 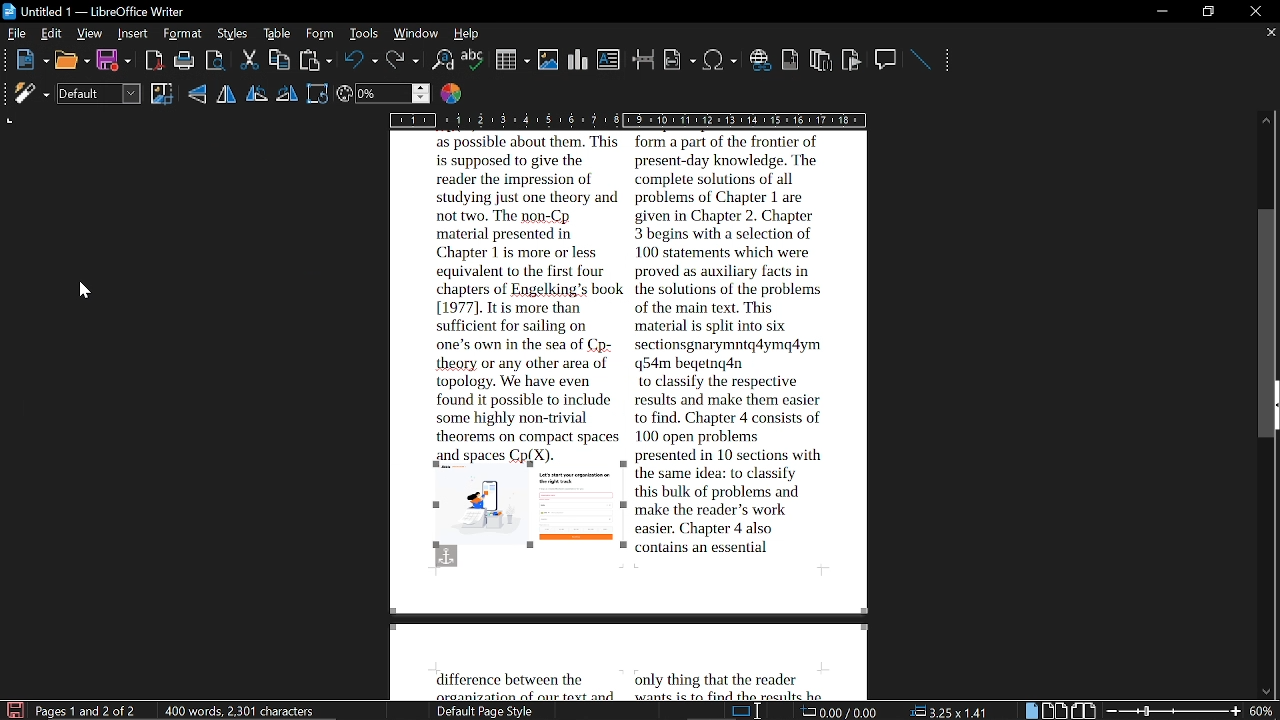 What do you see at coordinates (1174, 711) in the screenshot?
I see `change zoom` at bounding box center [1174, 711].